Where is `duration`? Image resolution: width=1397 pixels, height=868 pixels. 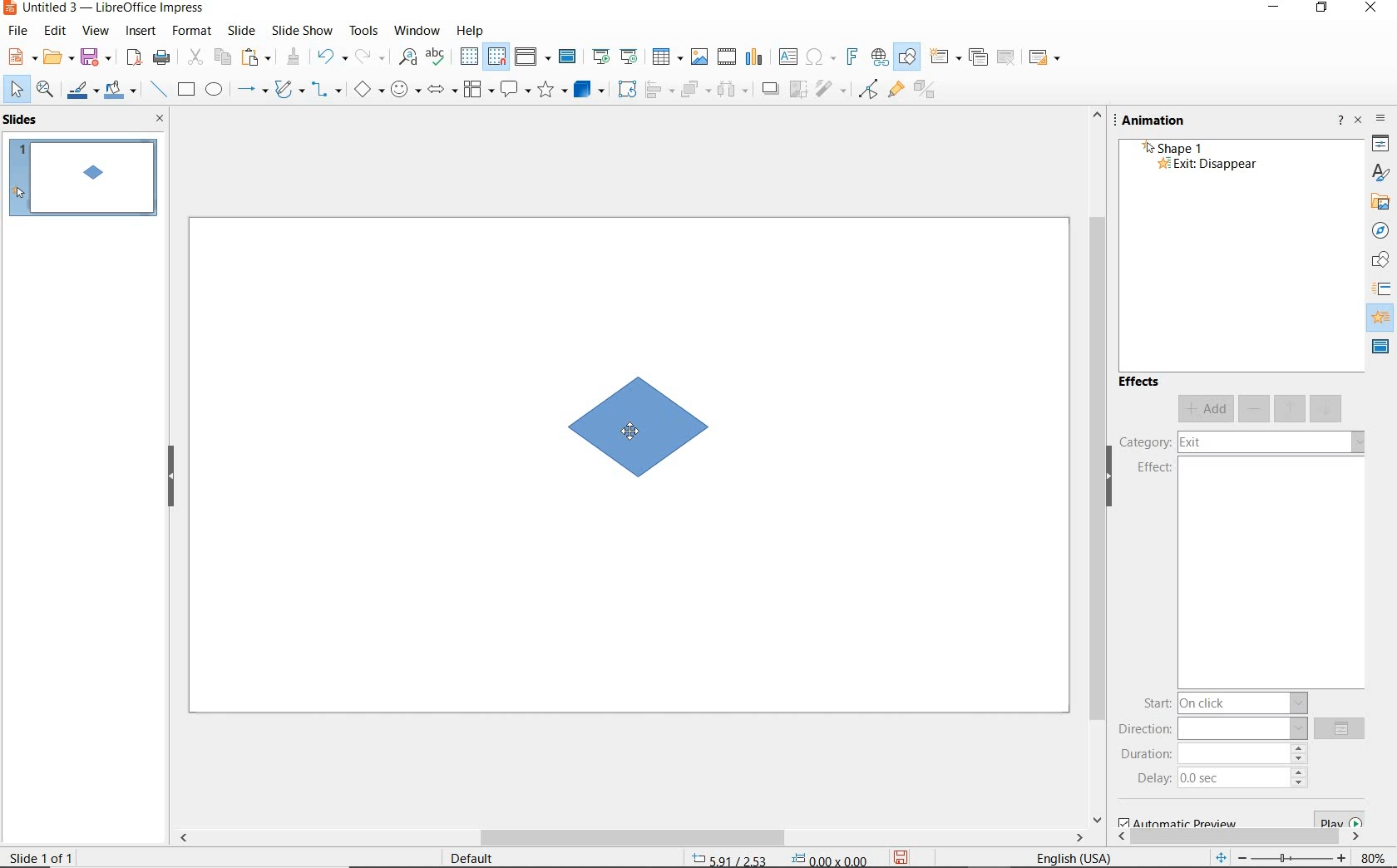
duration is located at coordinates (1215, 754).